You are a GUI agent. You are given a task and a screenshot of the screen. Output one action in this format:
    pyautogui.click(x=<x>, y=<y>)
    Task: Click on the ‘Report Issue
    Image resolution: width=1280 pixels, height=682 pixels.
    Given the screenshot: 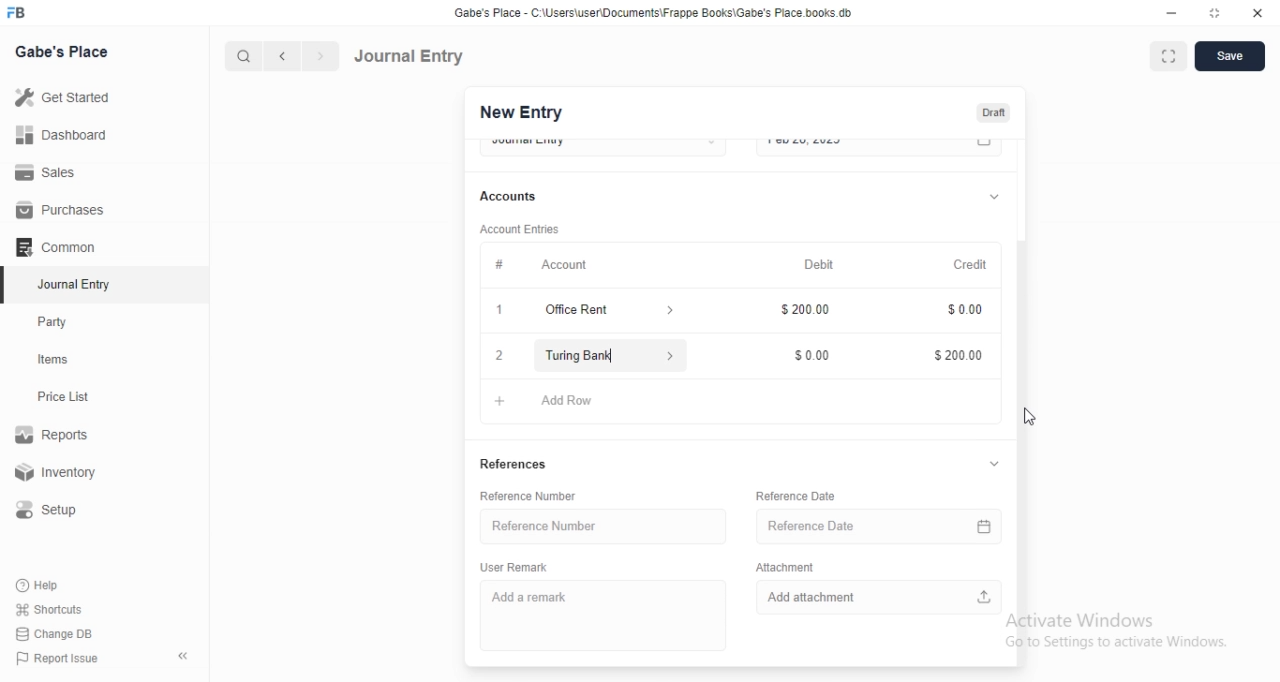 What is the action you would take?
    pyautogui.click(x=55, y=658)
    